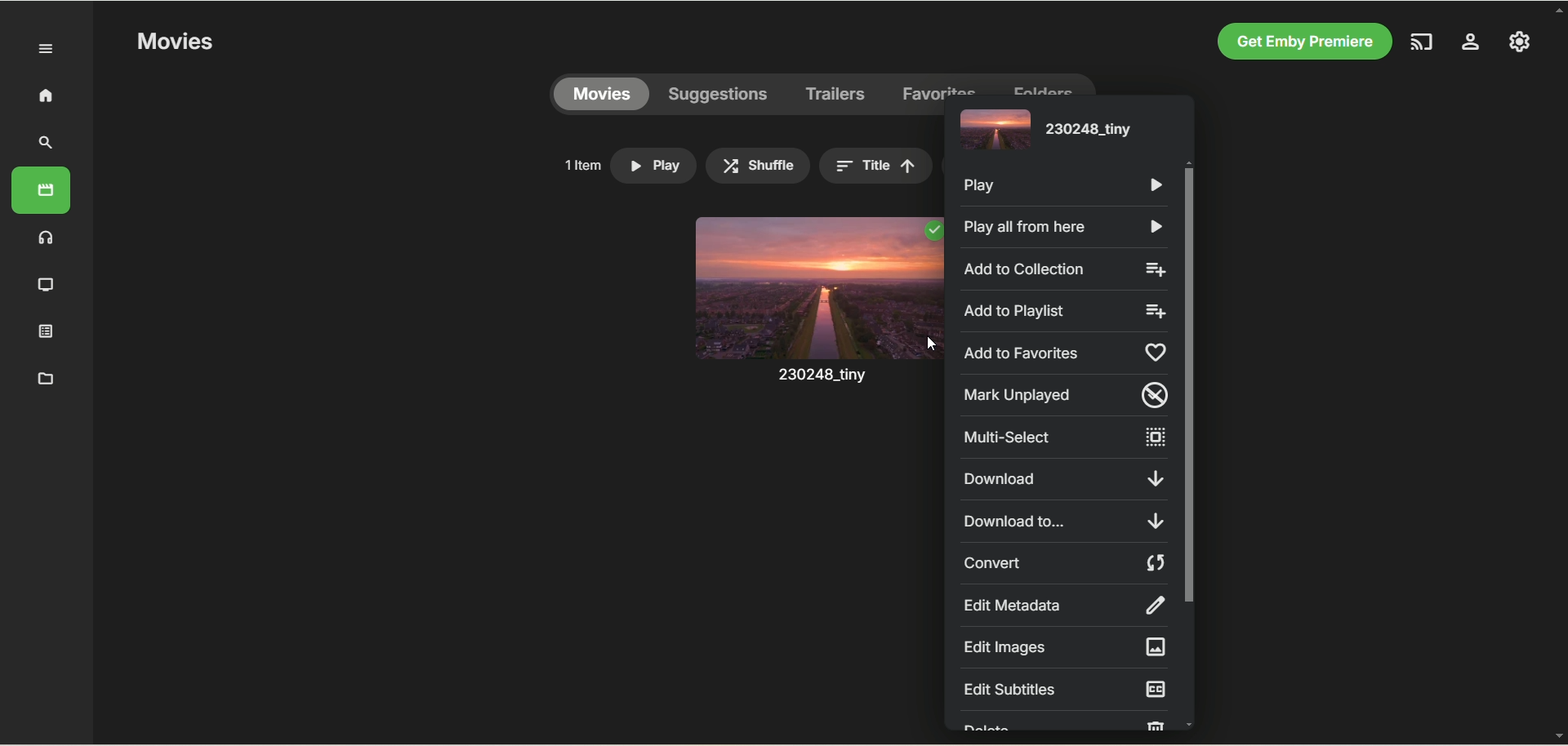 Image resolution: width=1568 pixels, height=746 pixels. Describe the element at coordinates (1300, 42) in the screenshot. I see `get emby premiere` at that location.